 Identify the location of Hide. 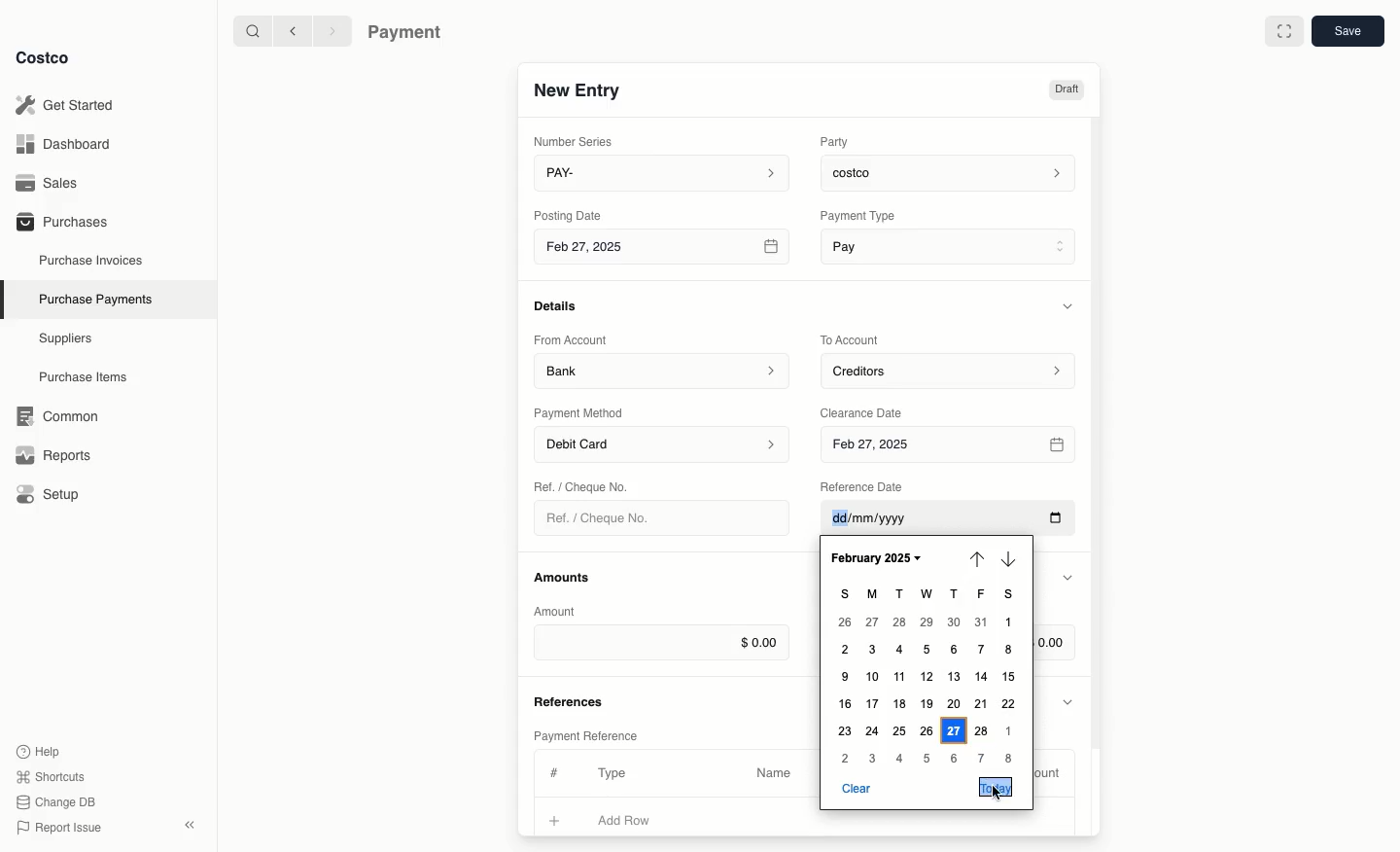
(1067, 579).